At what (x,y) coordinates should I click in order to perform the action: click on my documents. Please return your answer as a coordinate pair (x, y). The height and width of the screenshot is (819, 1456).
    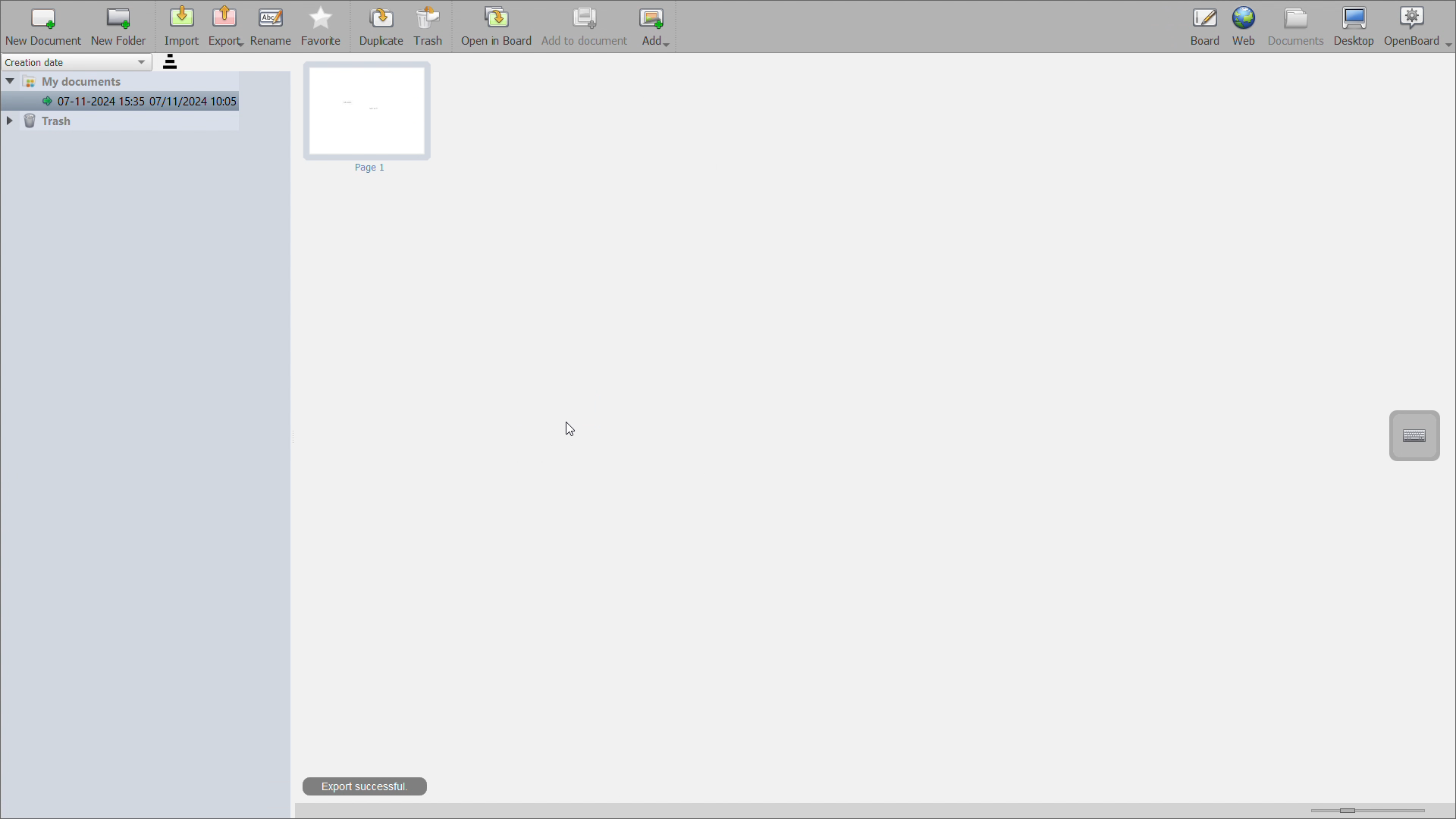
    Looking at the image, I should click on (121, 82).